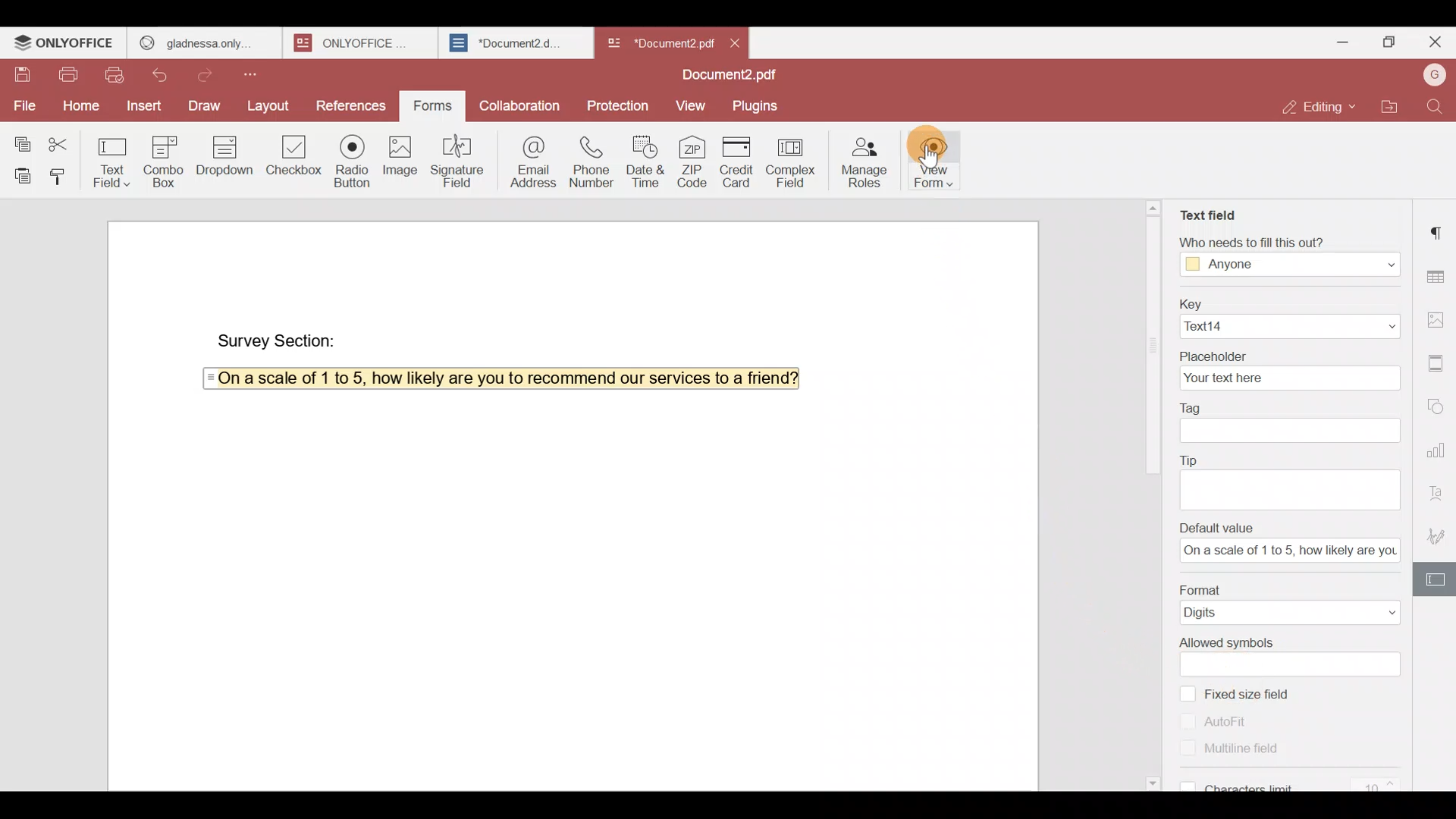 The height and width of the screenshot is (819, 1456). What do you see at coordinates (507, 41) in the screenshot?
I see `*Document2.d..` at bounding box center [507, 41].